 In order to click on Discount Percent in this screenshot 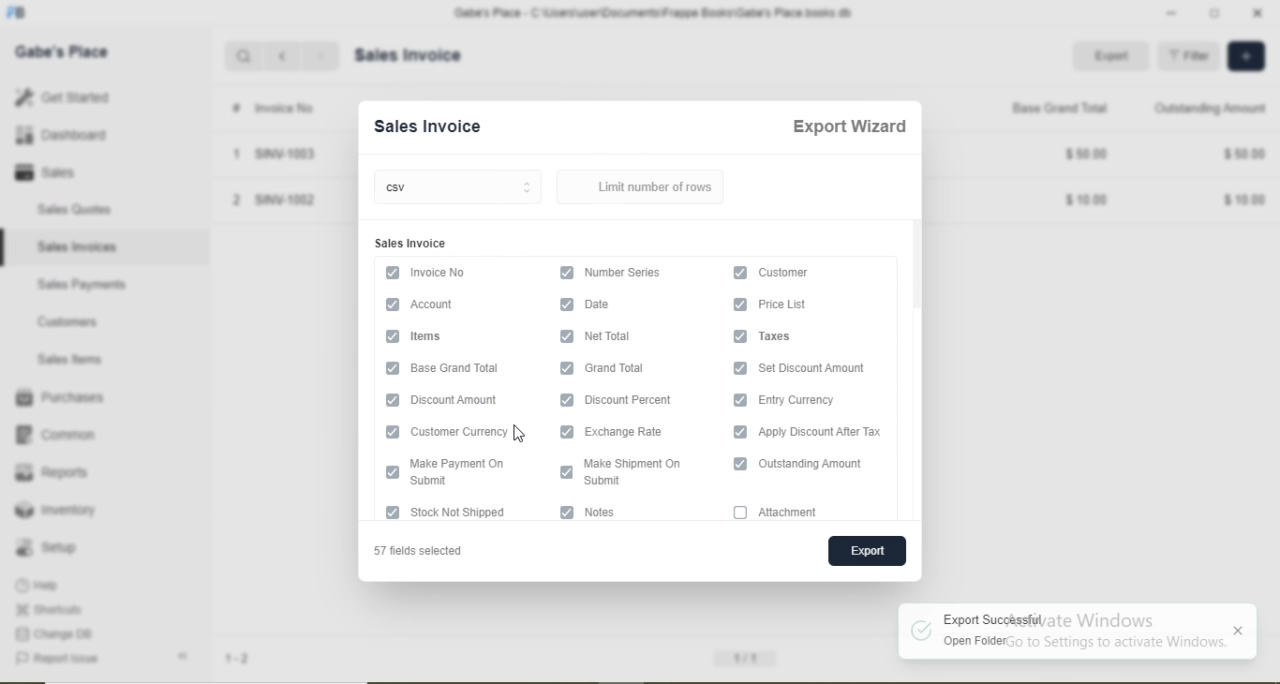, I will do `click(640, 400)`.